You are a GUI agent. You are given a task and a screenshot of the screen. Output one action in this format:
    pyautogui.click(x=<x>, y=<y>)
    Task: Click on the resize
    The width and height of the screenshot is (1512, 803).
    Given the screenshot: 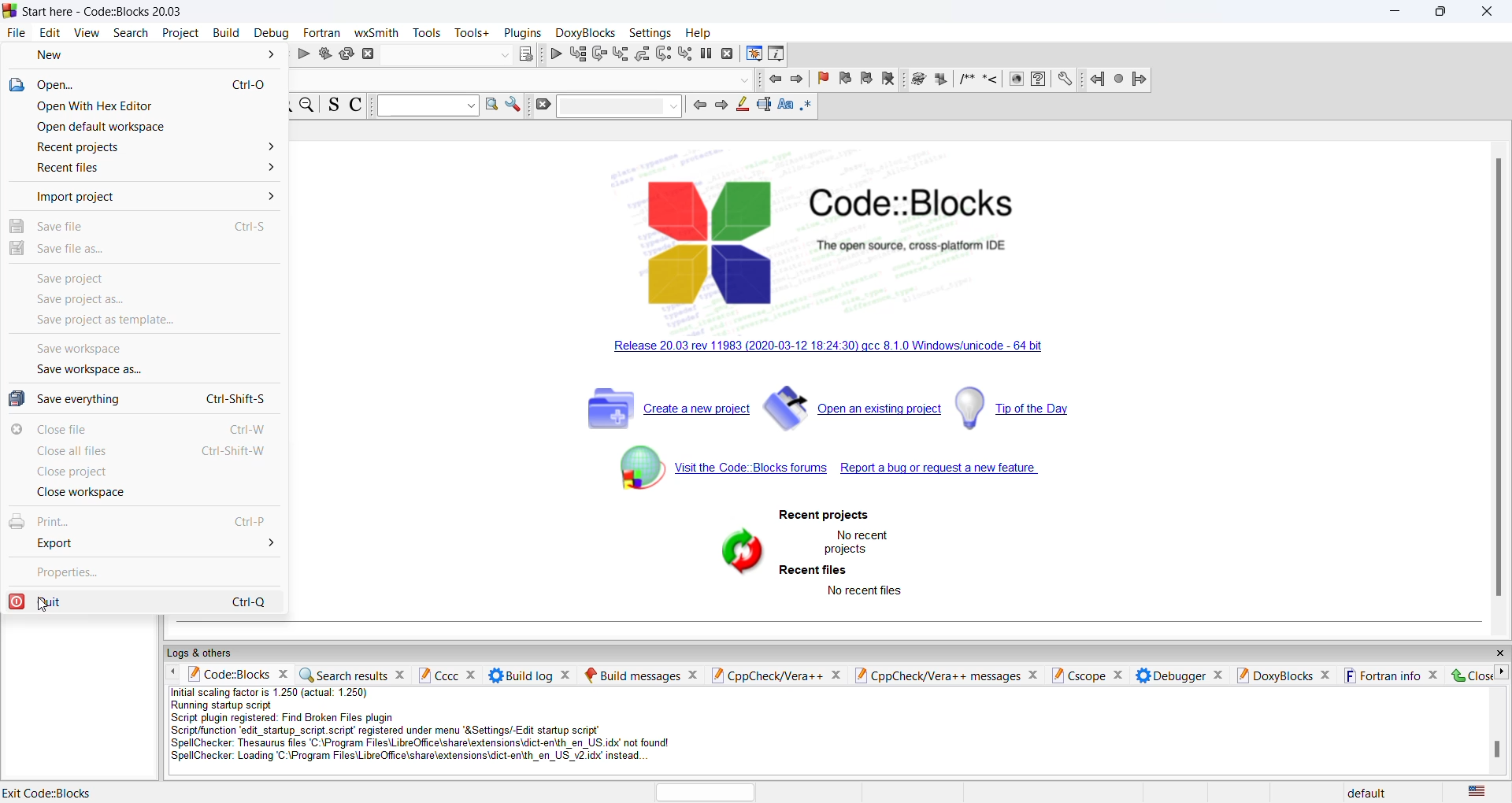 What is the action you would take?
    pyautogui.click(x=1443, y=12)
    